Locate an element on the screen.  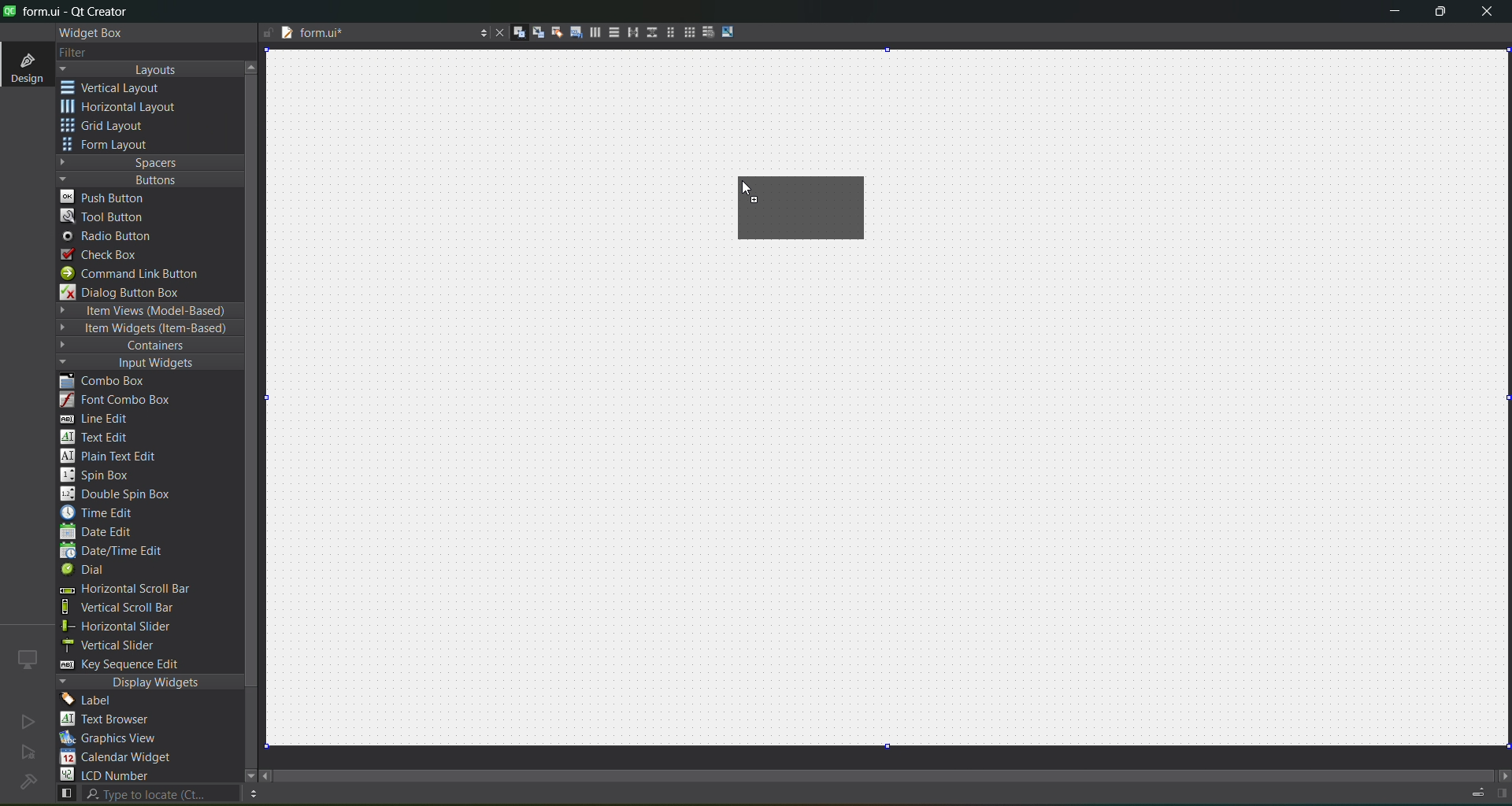
icon is located at coordinates (28, 659).